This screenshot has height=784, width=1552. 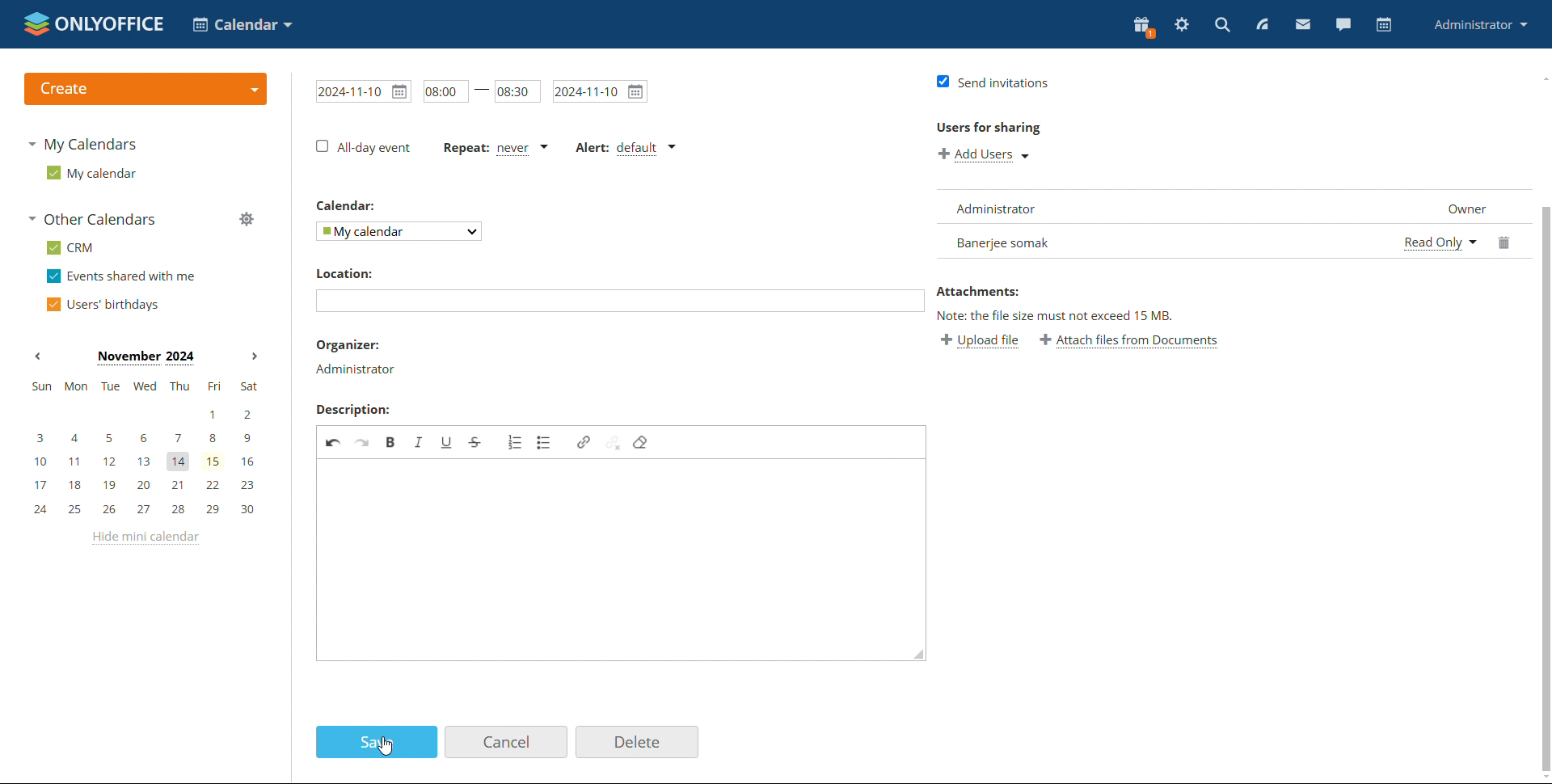 What do you see at coordinates (517, 90) in the screenshot?
I see `end time` at bounding box center [517, 90].